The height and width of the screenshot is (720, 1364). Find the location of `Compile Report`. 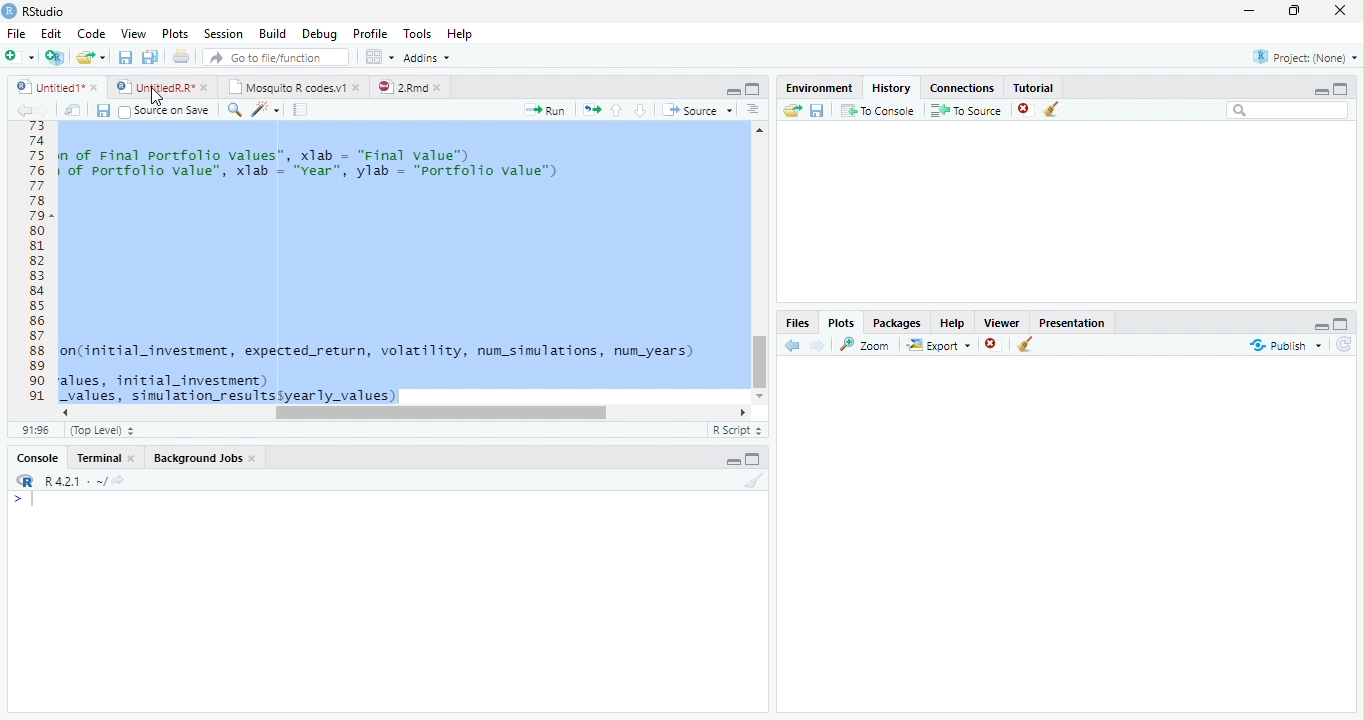

Compile Report is located at coordinates (303, 110).